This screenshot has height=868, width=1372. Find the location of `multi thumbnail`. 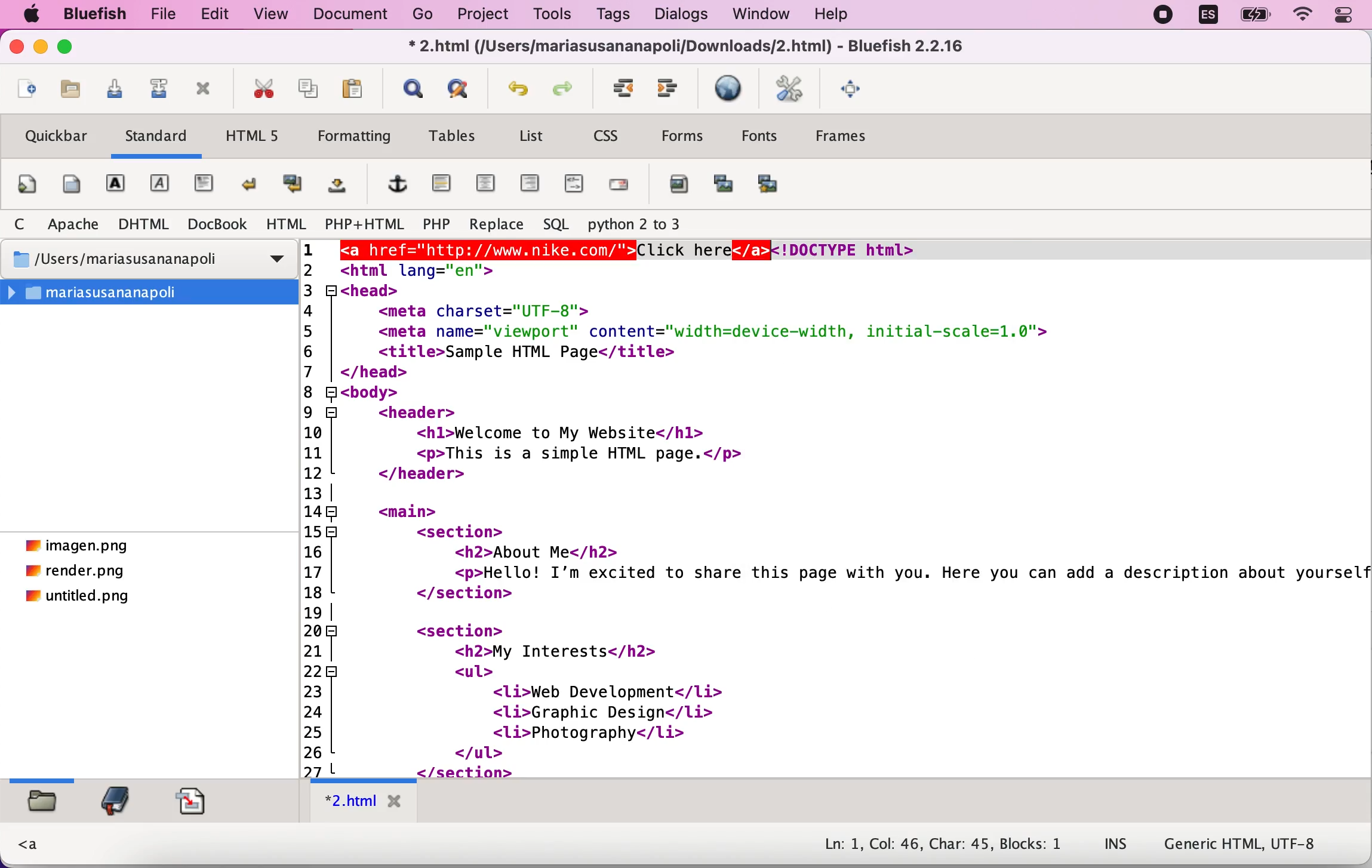

multi thumbnail is located at coordinates (776, 187).